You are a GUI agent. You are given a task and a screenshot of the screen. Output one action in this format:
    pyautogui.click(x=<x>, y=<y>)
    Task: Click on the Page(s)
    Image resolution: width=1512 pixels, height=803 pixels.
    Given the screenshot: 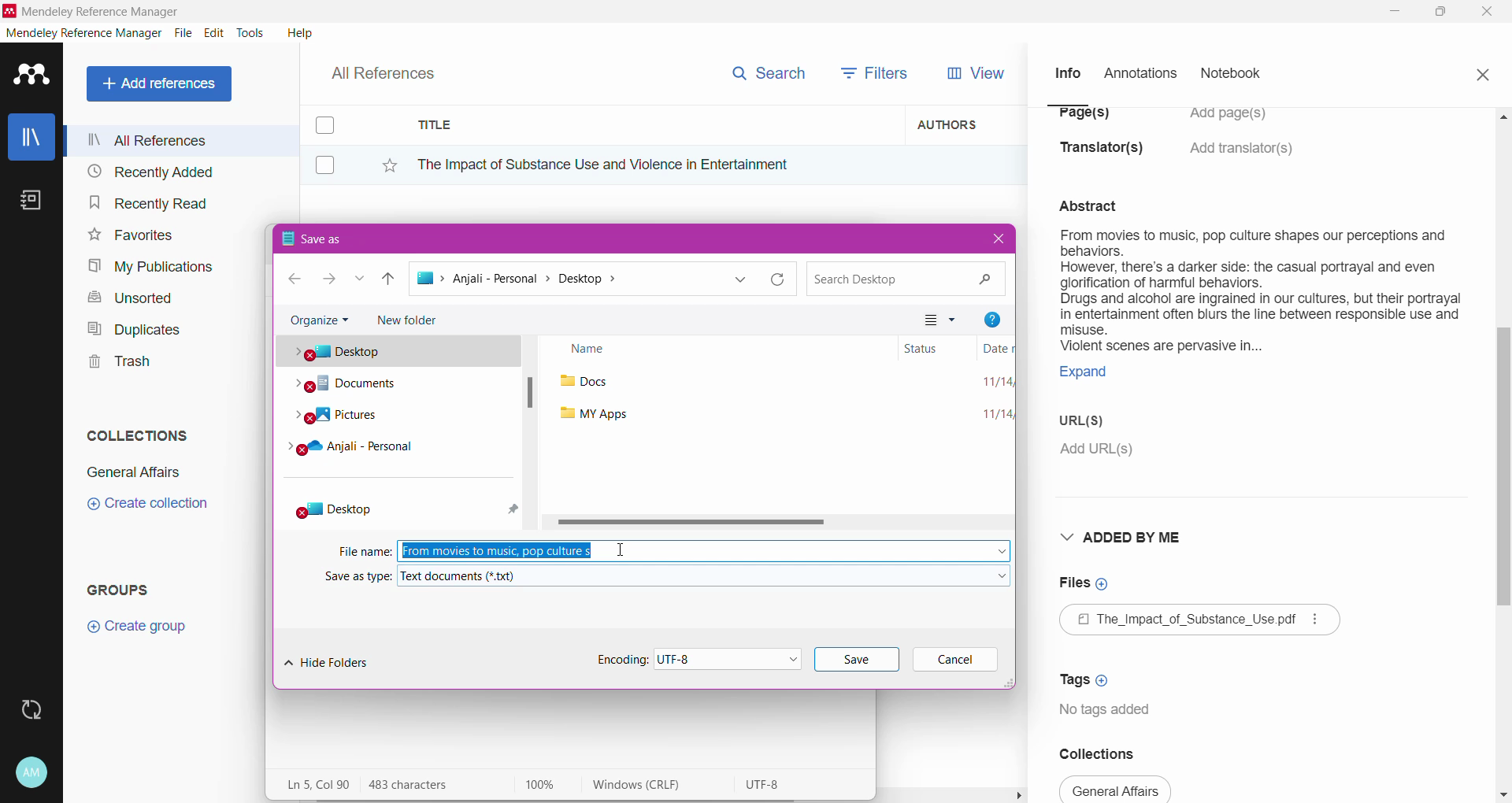 What is the action you would take?
    pyautogui.click(x=1082, y=119)
    